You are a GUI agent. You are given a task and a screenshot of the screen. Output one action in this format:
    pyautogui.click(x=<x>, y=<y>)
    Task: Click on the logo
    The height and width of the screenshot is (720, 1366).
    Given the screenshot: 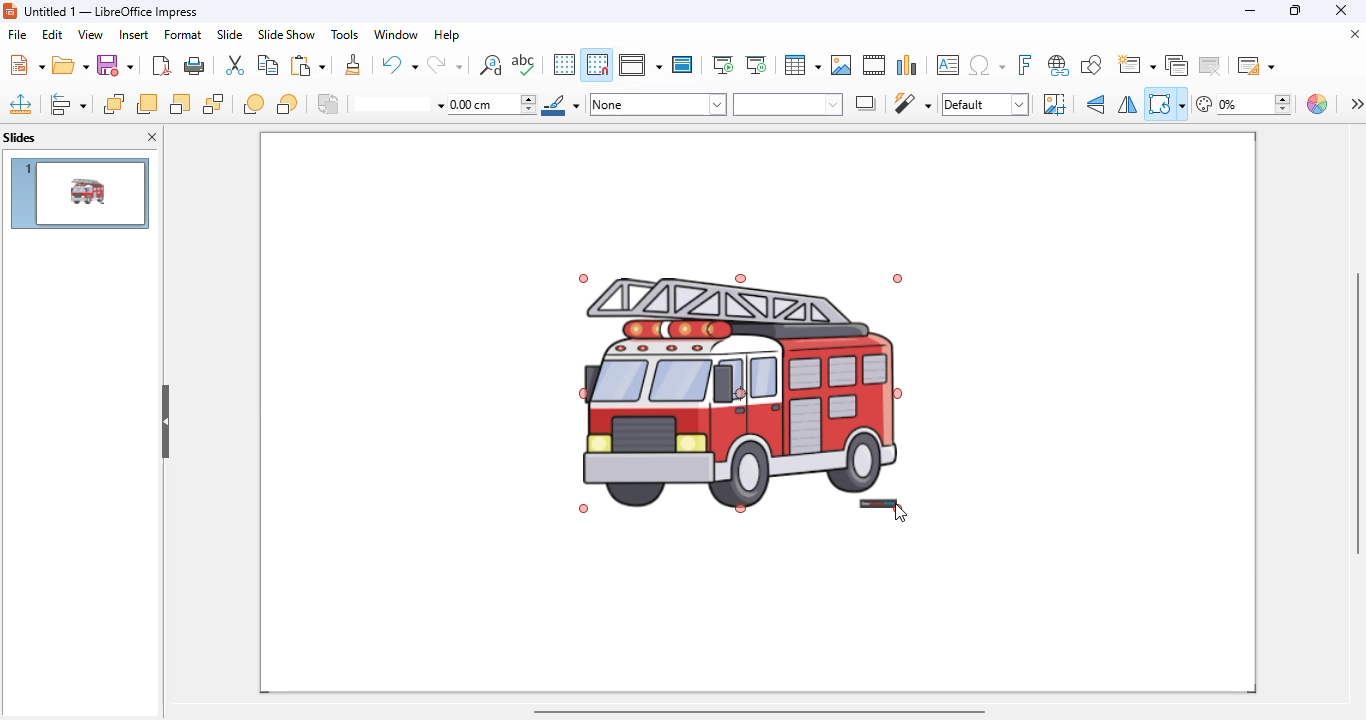 What is the action you would take?
    pyautogui.click(x=10, y=10)
    